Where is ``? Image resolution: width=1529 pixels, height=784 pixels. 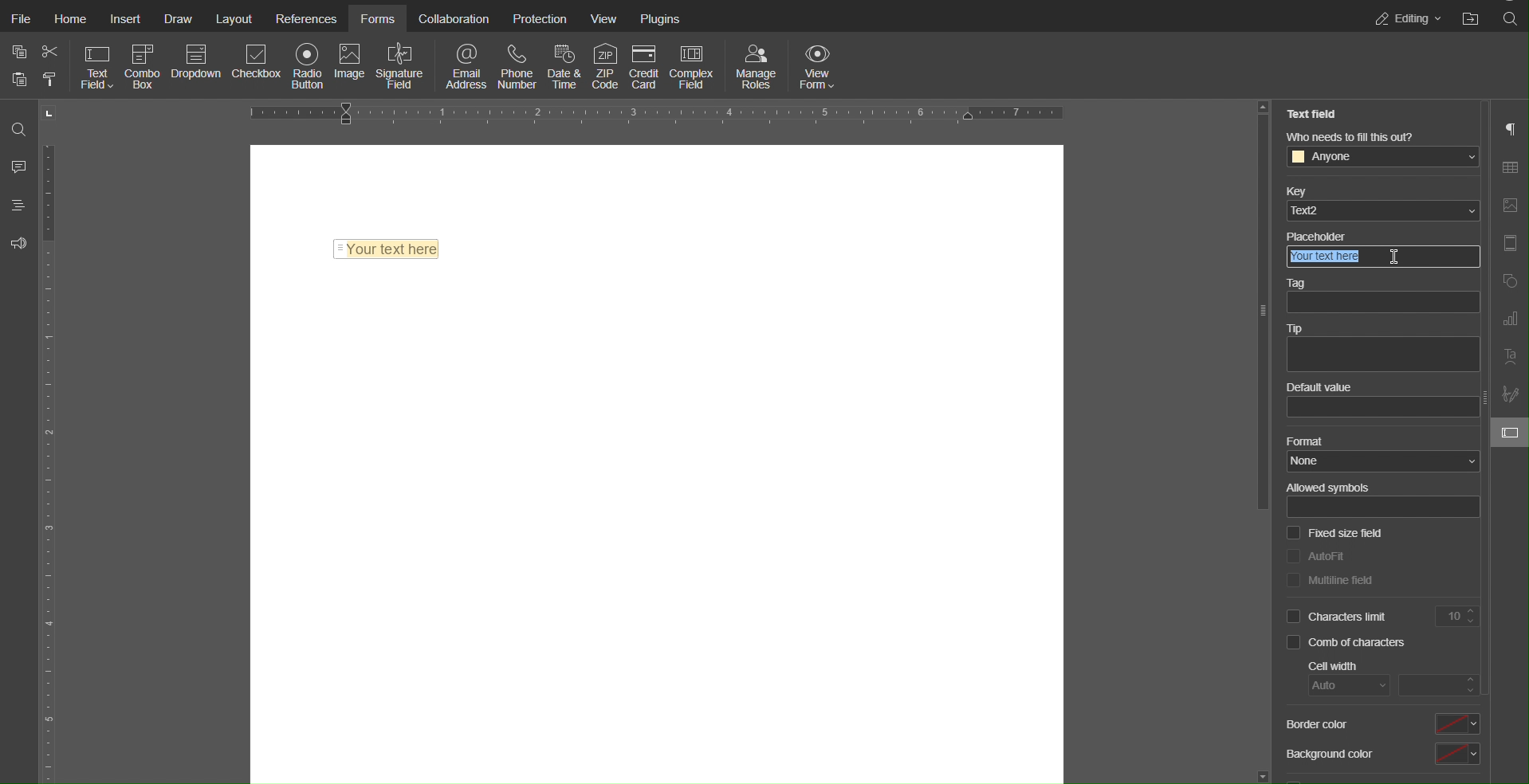
 is located at coordinates (1329, 236).